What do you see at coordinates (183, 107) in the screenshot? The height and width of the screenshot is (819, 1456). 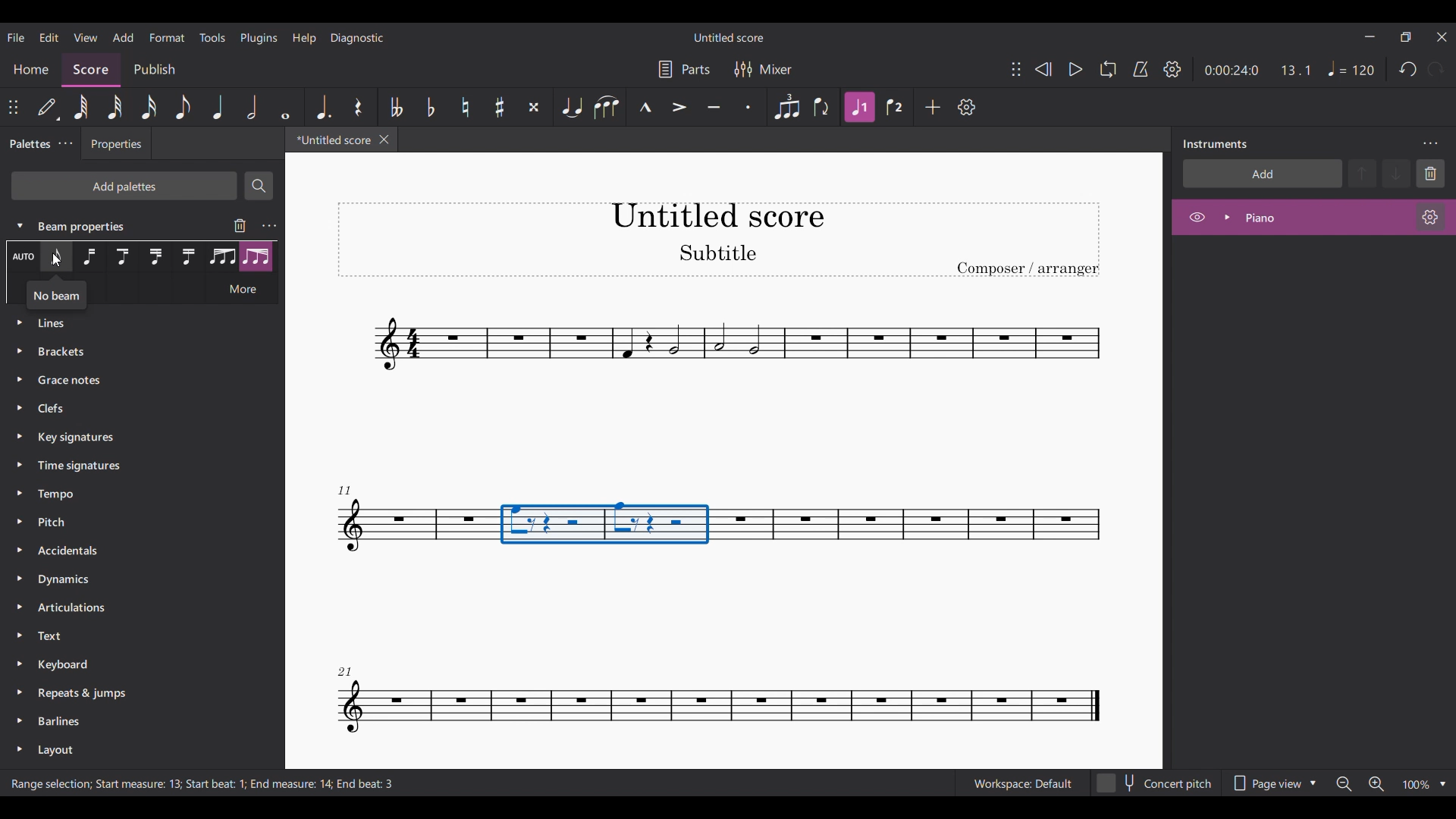 I see `8th note` at bounding box center [183, 107].